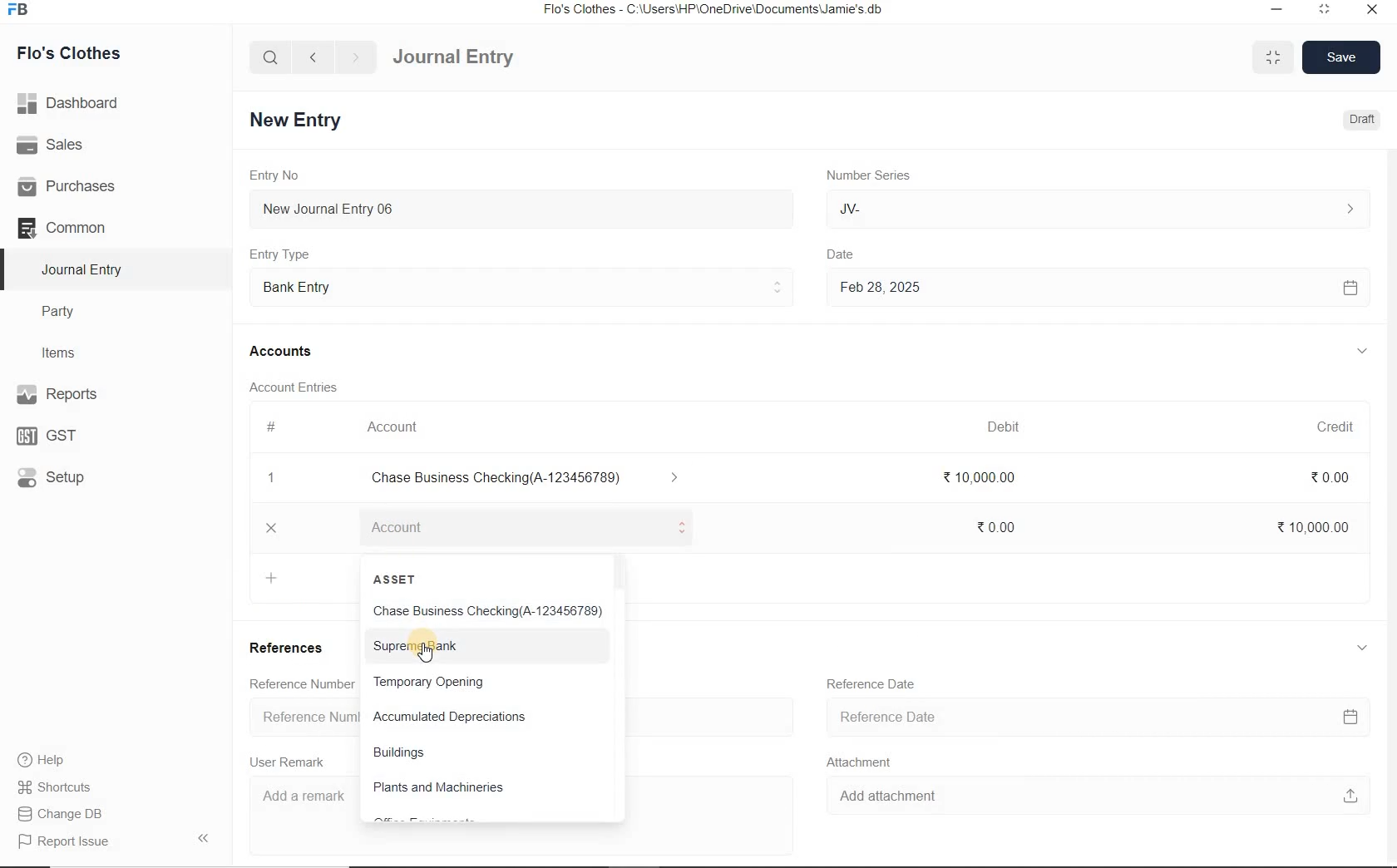  Describe the element at coordinates (292, 762) in the screenshot. I see `User Remark` at that location.